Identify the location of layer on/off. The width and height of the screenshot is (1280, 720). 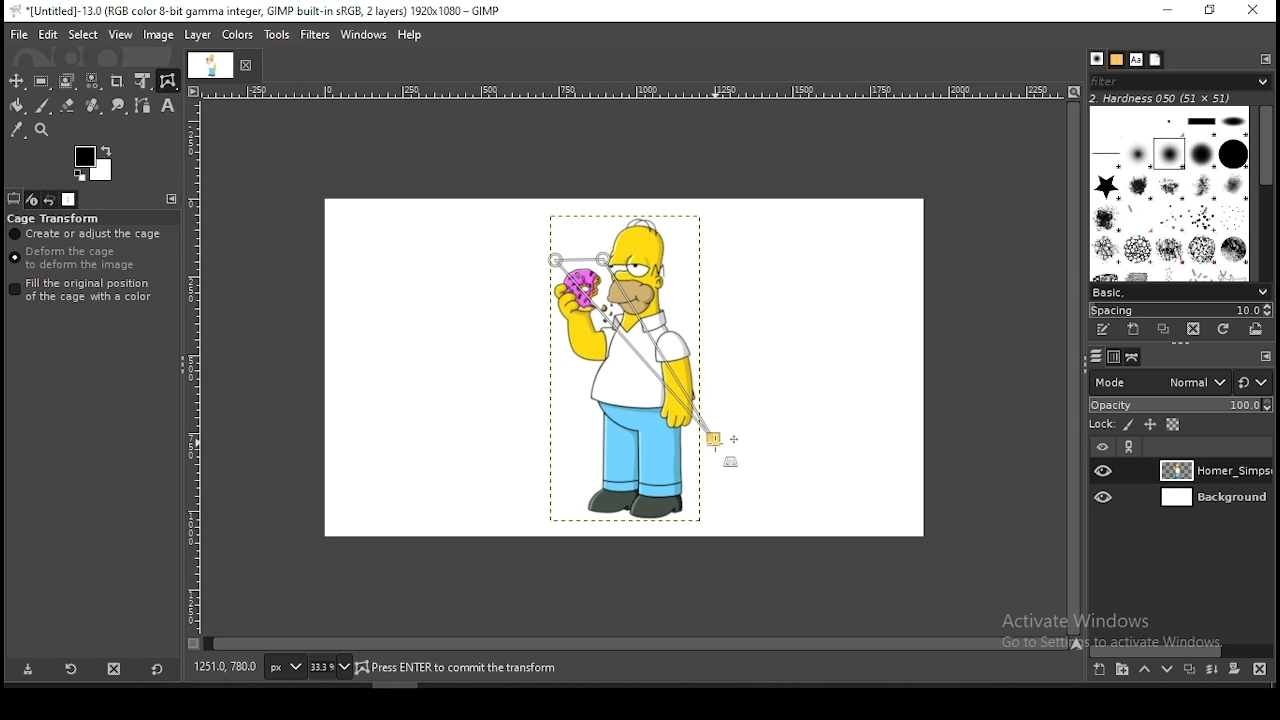
(1102, 446).